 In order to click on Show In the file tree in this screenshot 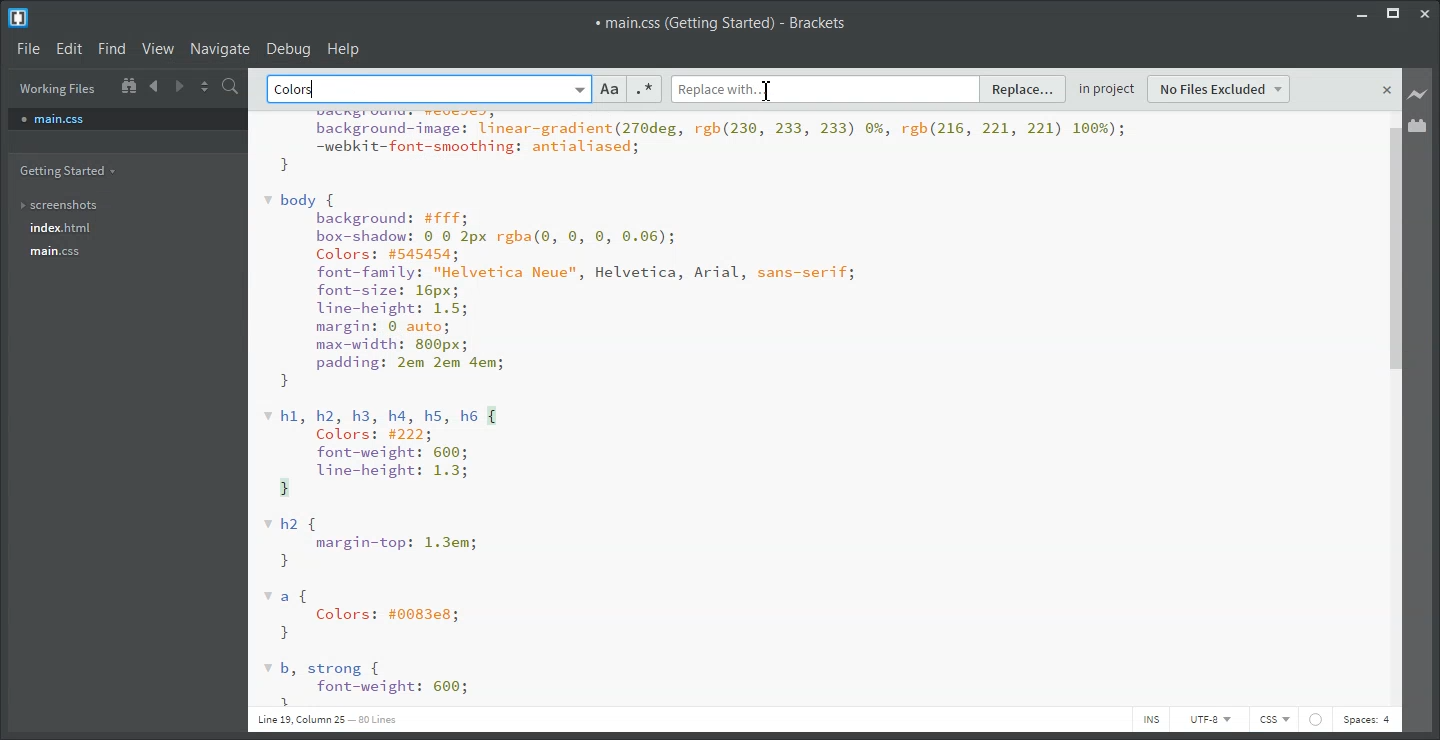, I will do `click(128, 84)`.